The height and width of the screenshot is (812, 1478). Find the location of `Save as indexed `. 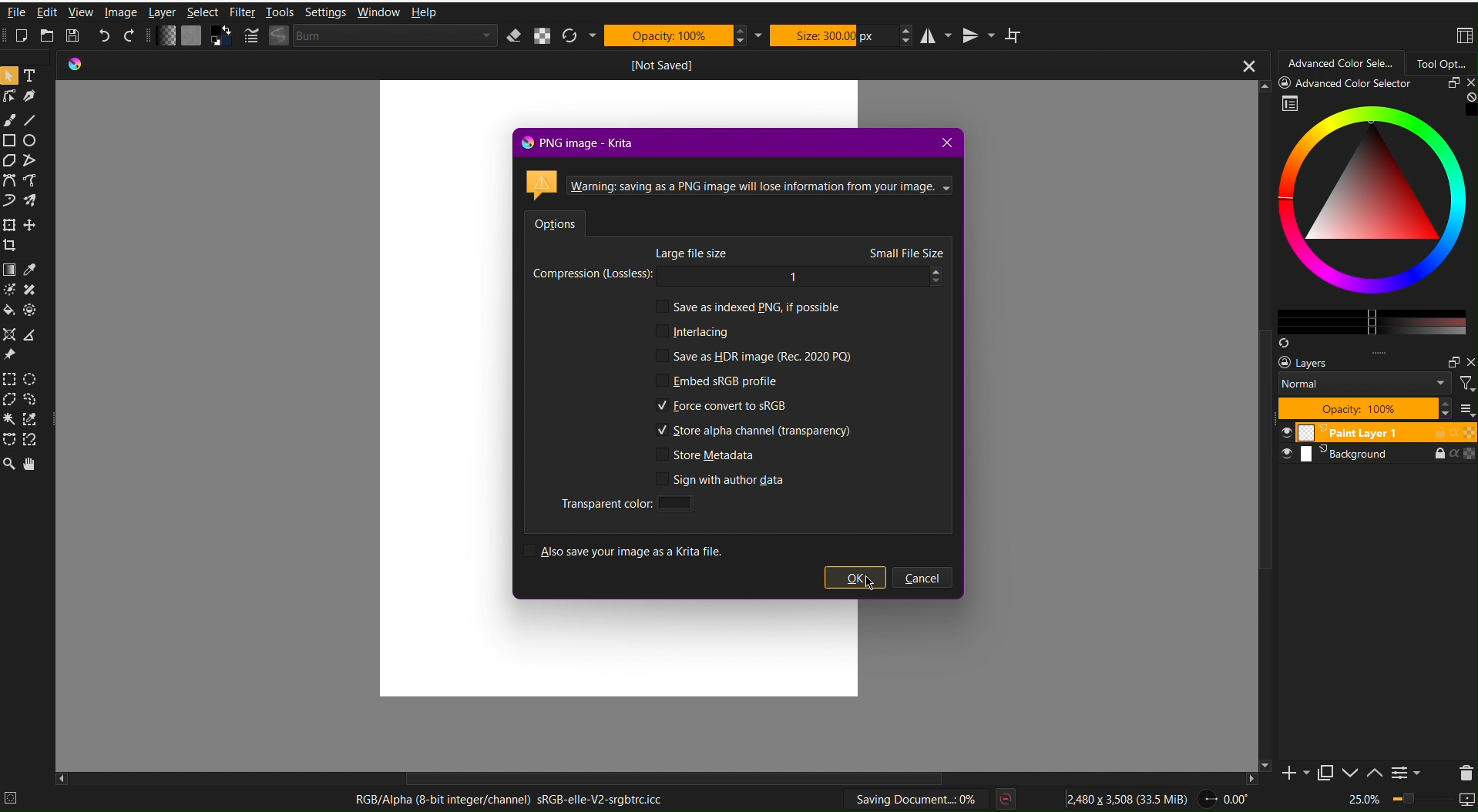

Save as indexed  is located at coordinates (748, 306).